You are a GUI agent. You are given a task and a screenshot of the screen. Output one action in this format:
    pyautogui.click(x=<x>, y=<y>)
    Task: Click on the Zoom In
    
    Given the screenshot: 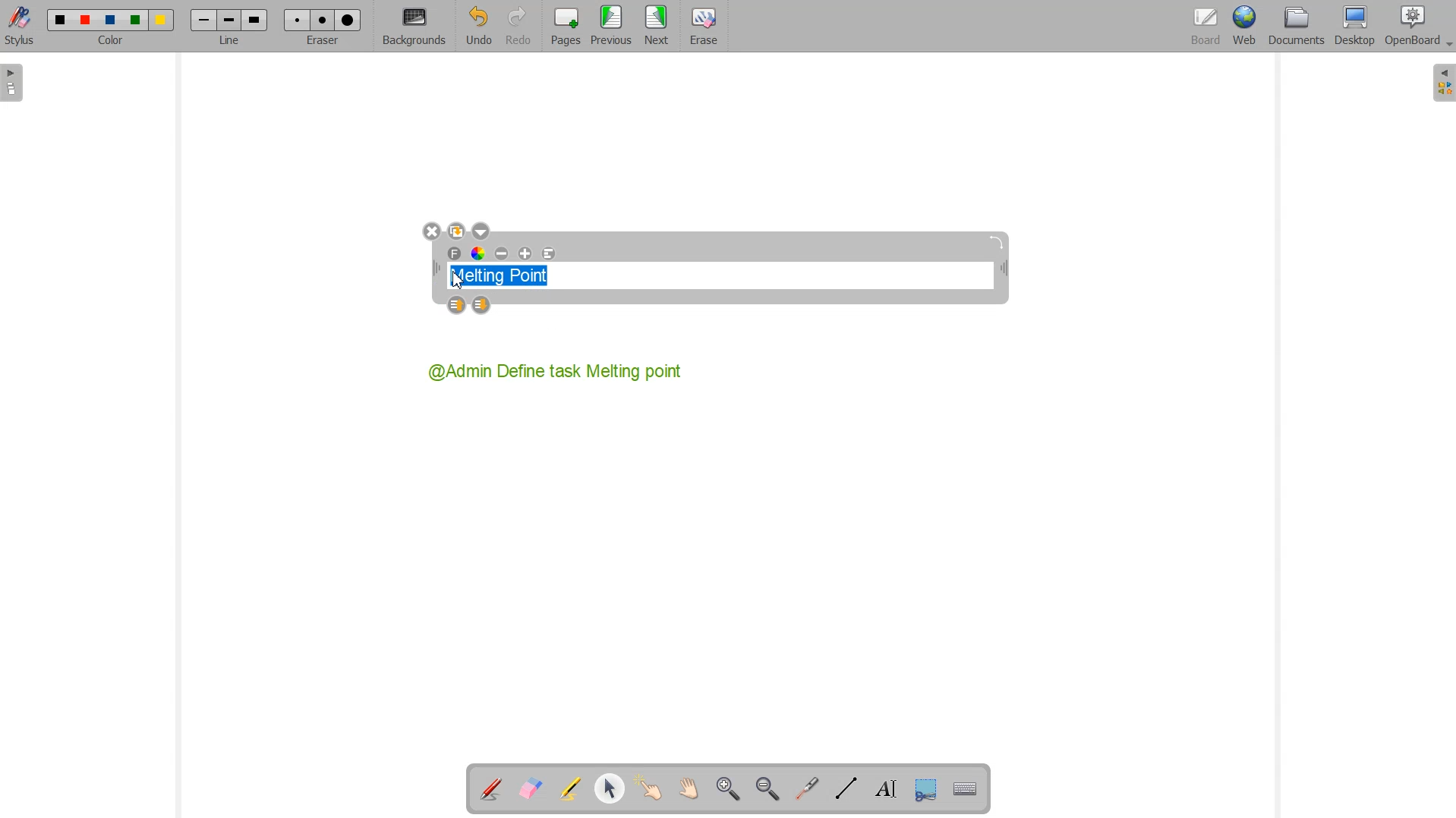 What is the action you would take?
    pyautogui.click(x=730, y=789)
    